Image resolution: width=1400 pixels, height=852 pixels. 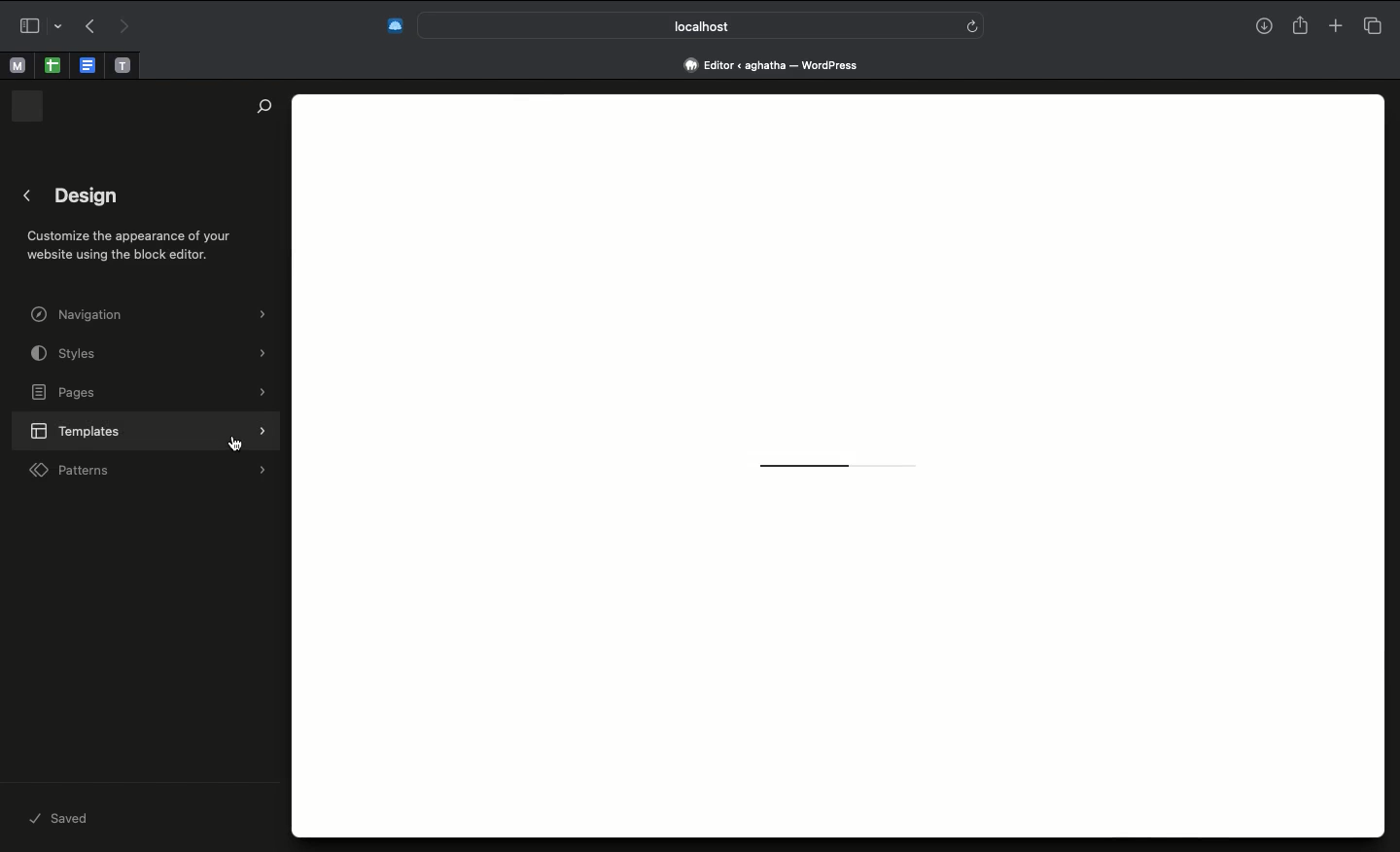 What do you see at coordinates (122, 66) in the screenshot?
I see `open tab` at bounding box center [122, 66].